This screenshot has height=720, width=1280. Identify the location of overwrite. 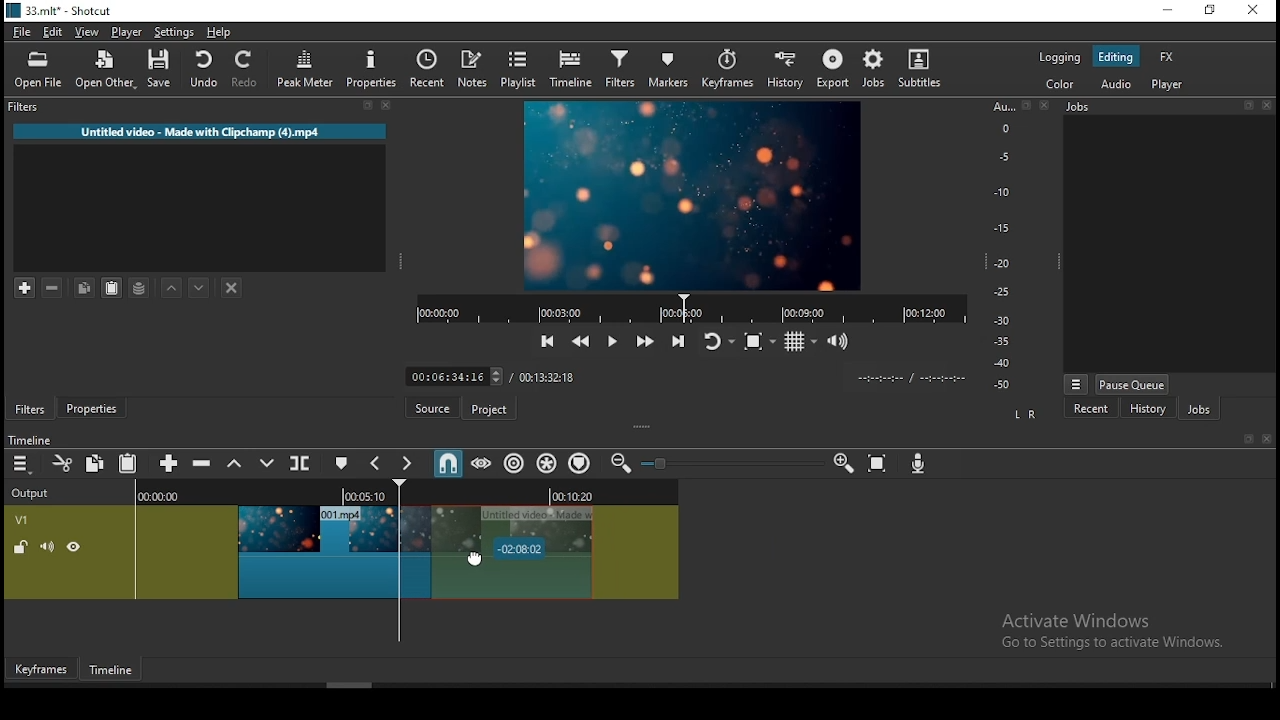
(267, 464).